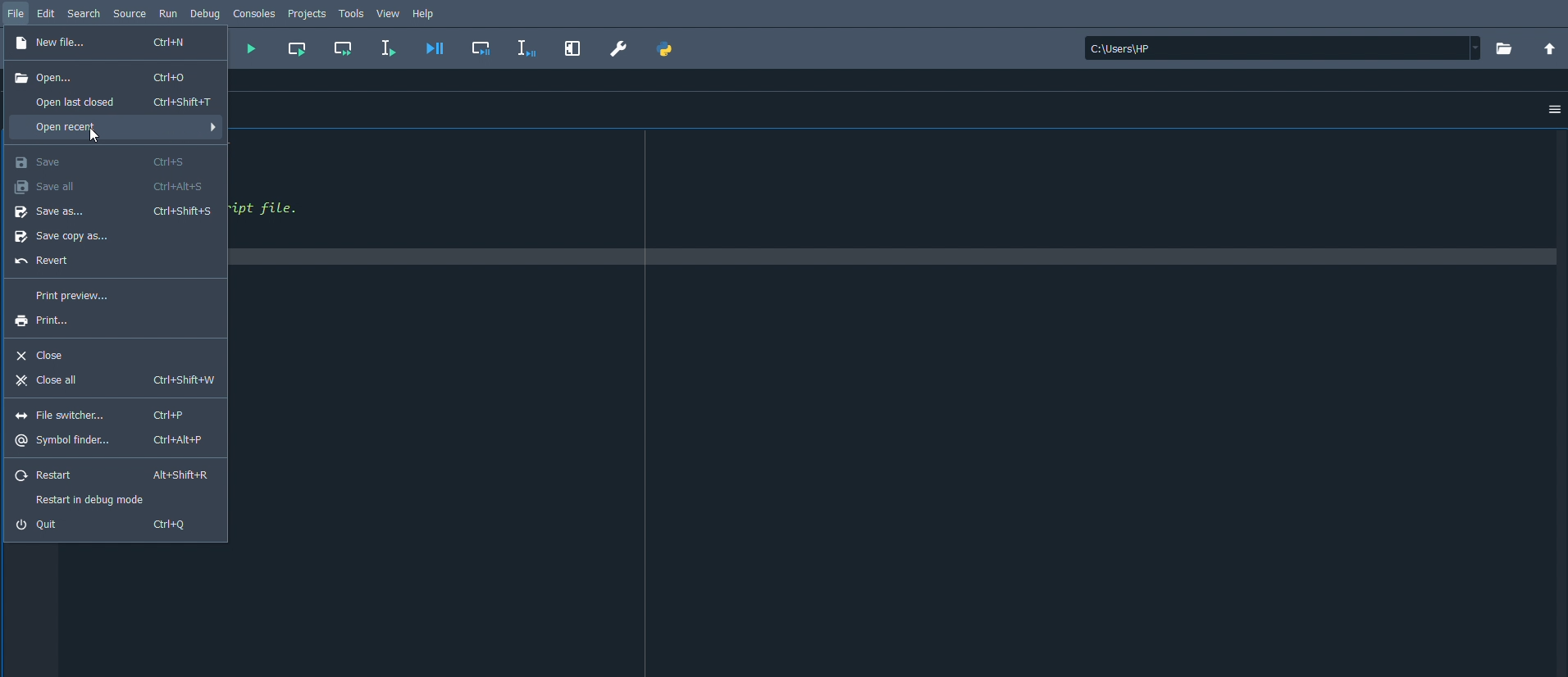 The image size is (1568, 677). Describe the element at coordinates (97, 135) in the screenshot. I see `Cursor` at that location.